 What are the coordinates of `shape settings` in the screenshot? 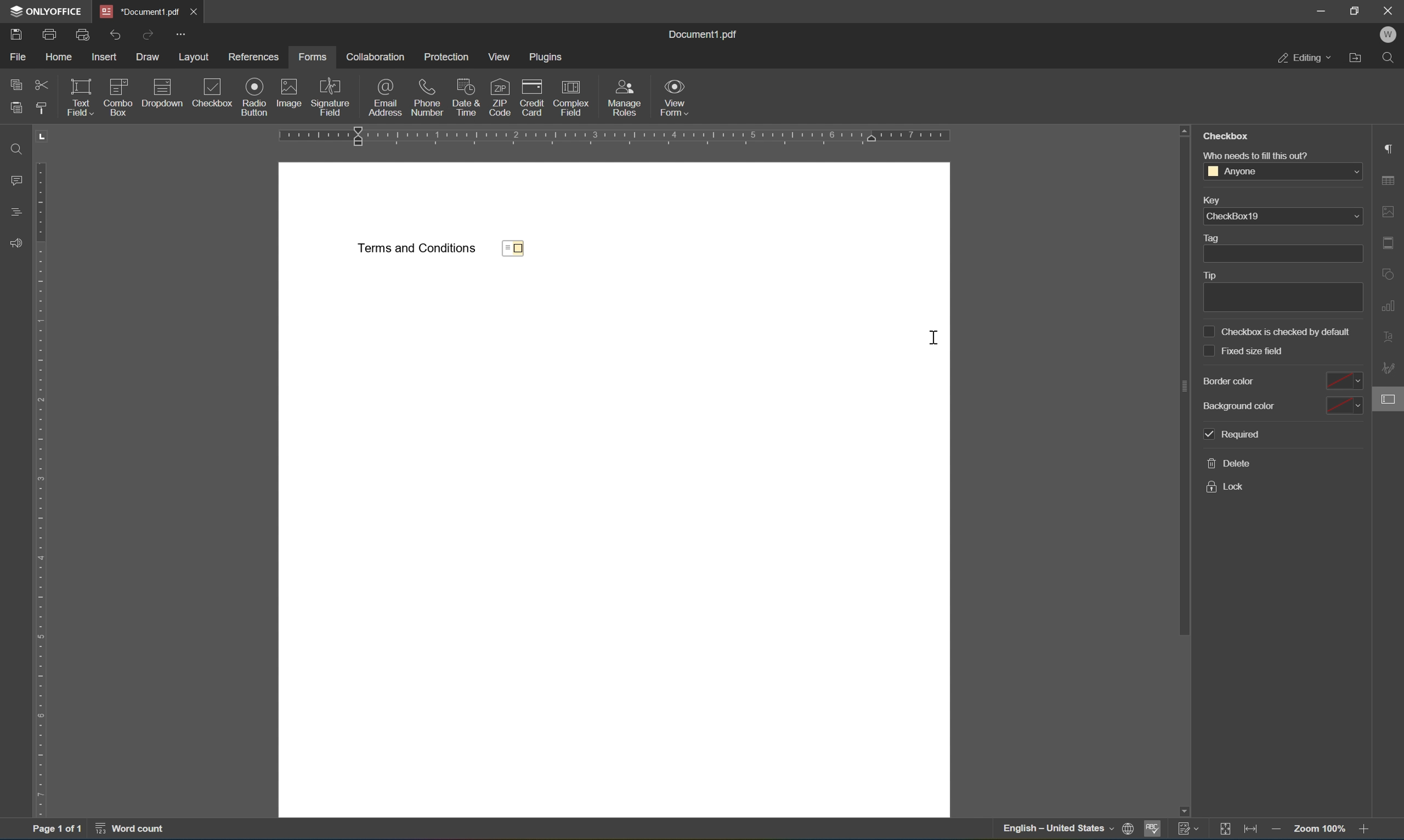 It's located at (1391, 275).